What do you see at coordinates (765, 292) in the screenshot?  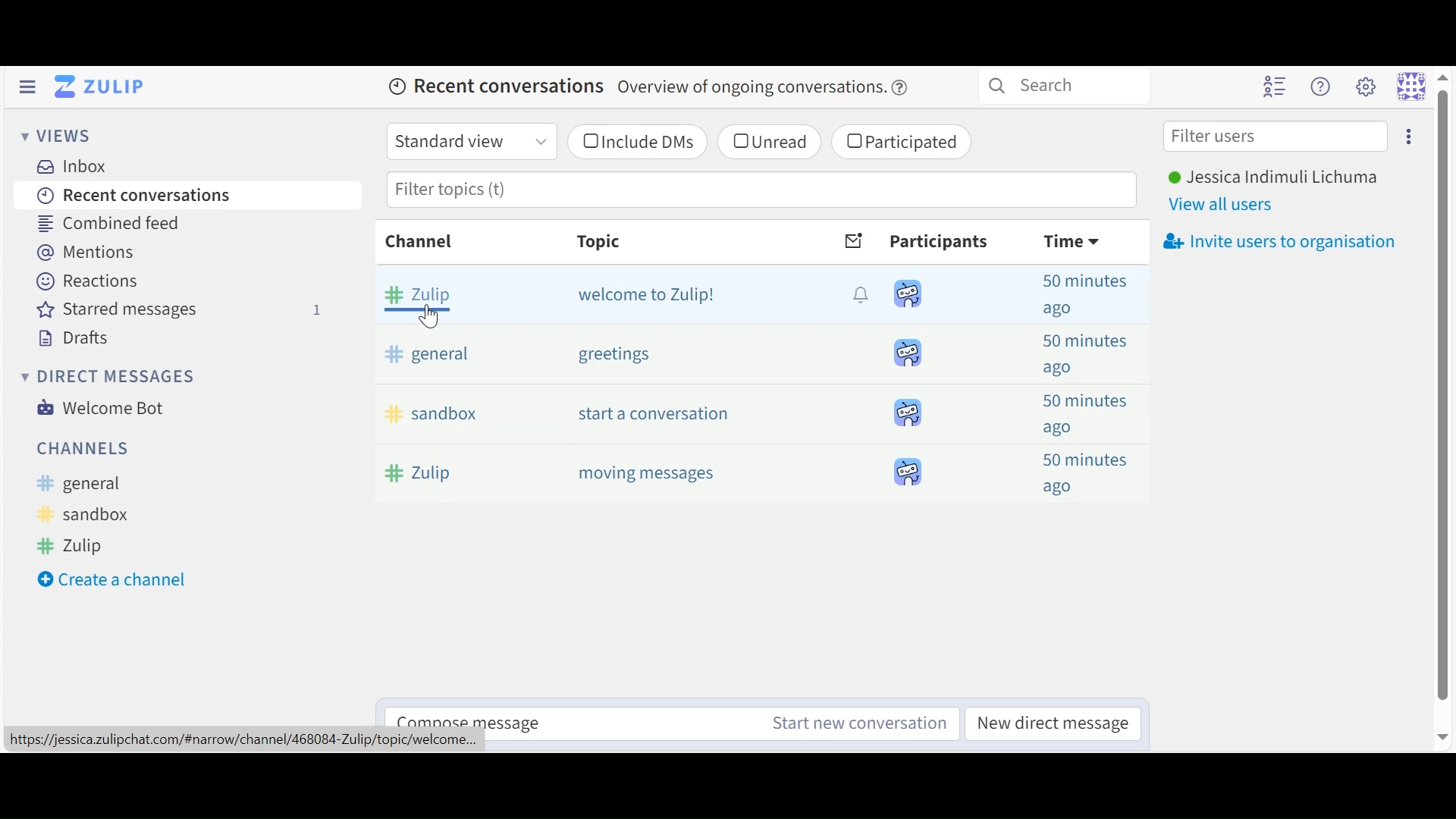 I see `messages` at bounding box center [765, 292].